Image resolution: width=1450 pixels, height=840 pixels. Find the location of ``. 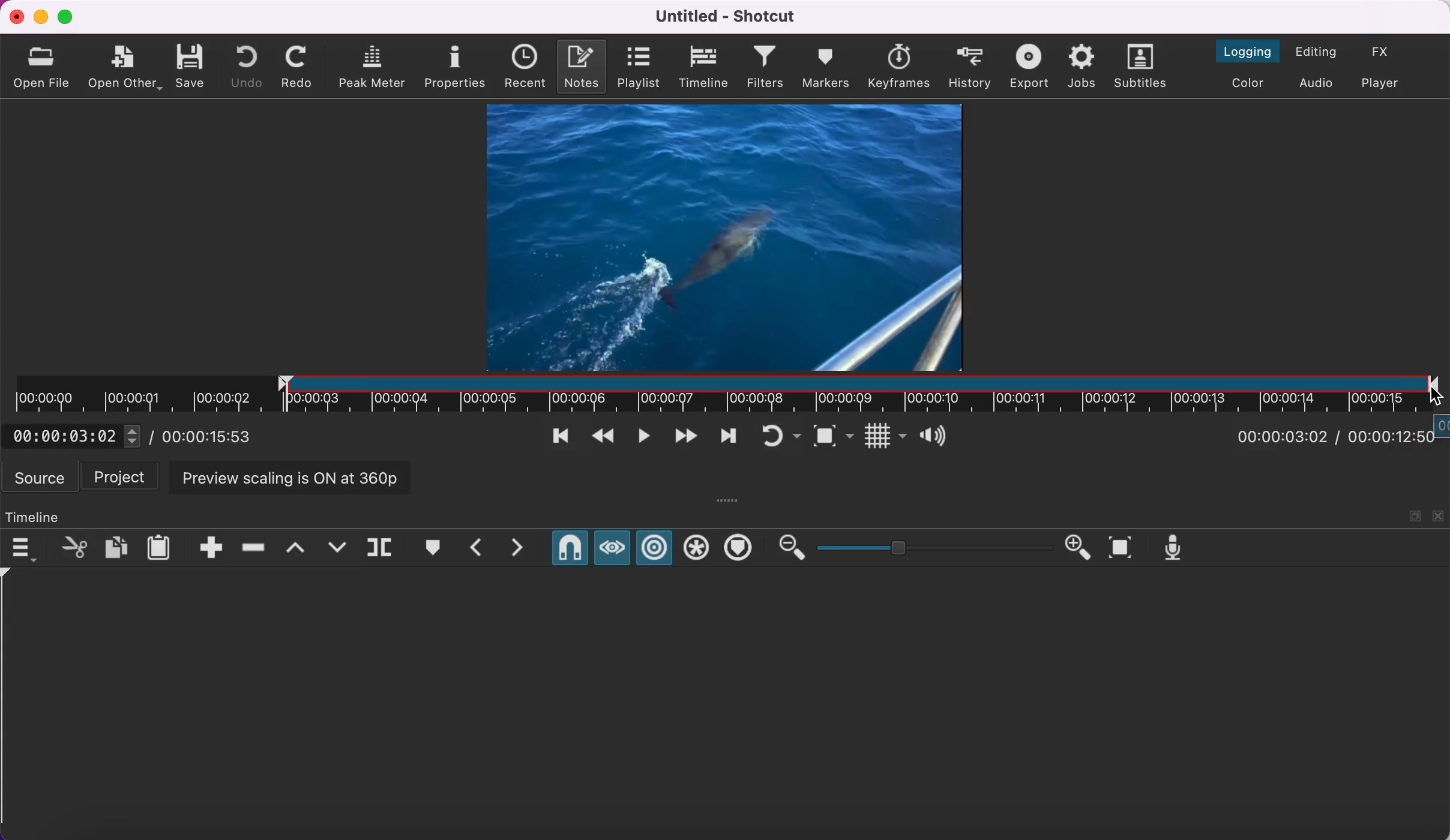

 is located at coordinates (831, 436).